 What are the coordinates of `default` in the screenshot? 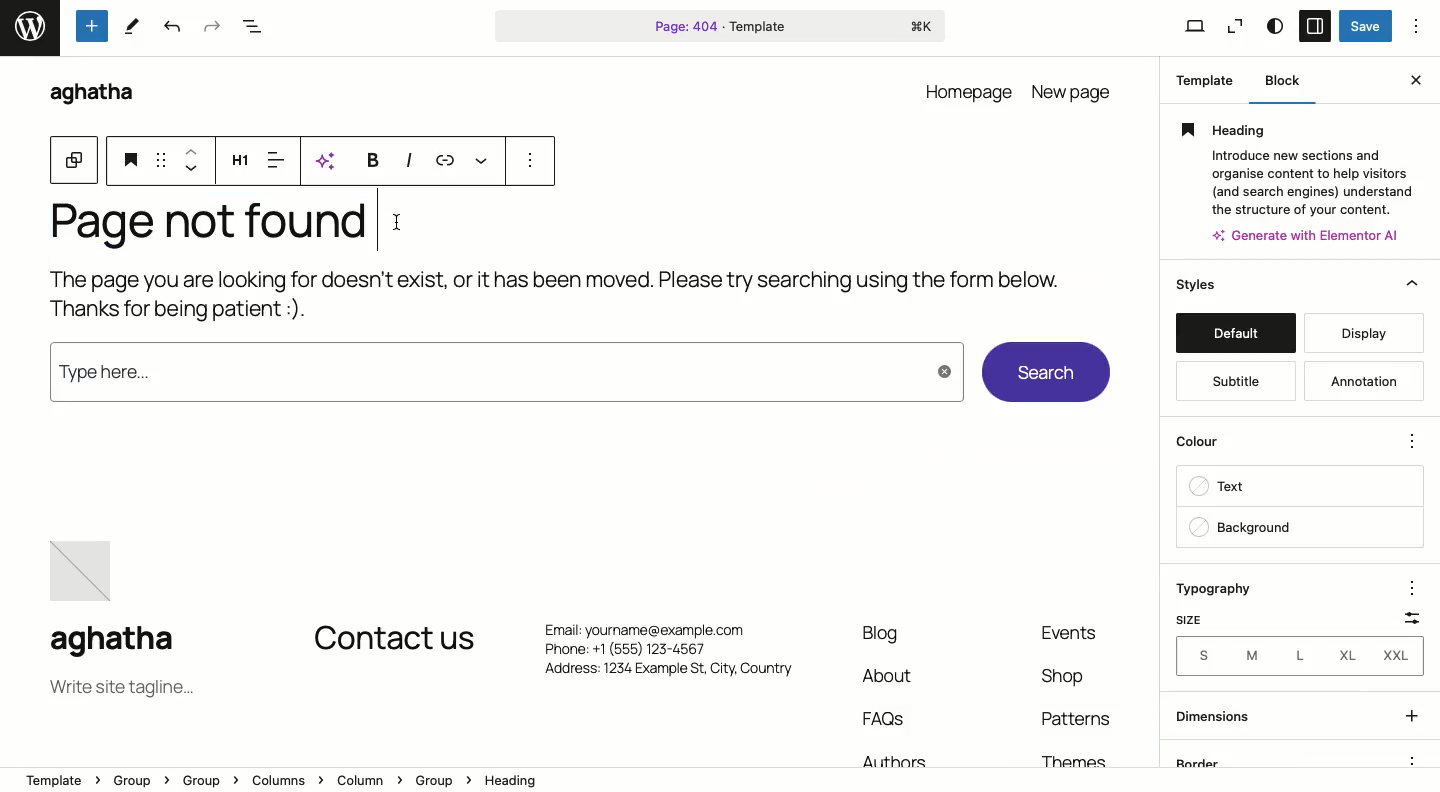 It's located at (1231, 330).